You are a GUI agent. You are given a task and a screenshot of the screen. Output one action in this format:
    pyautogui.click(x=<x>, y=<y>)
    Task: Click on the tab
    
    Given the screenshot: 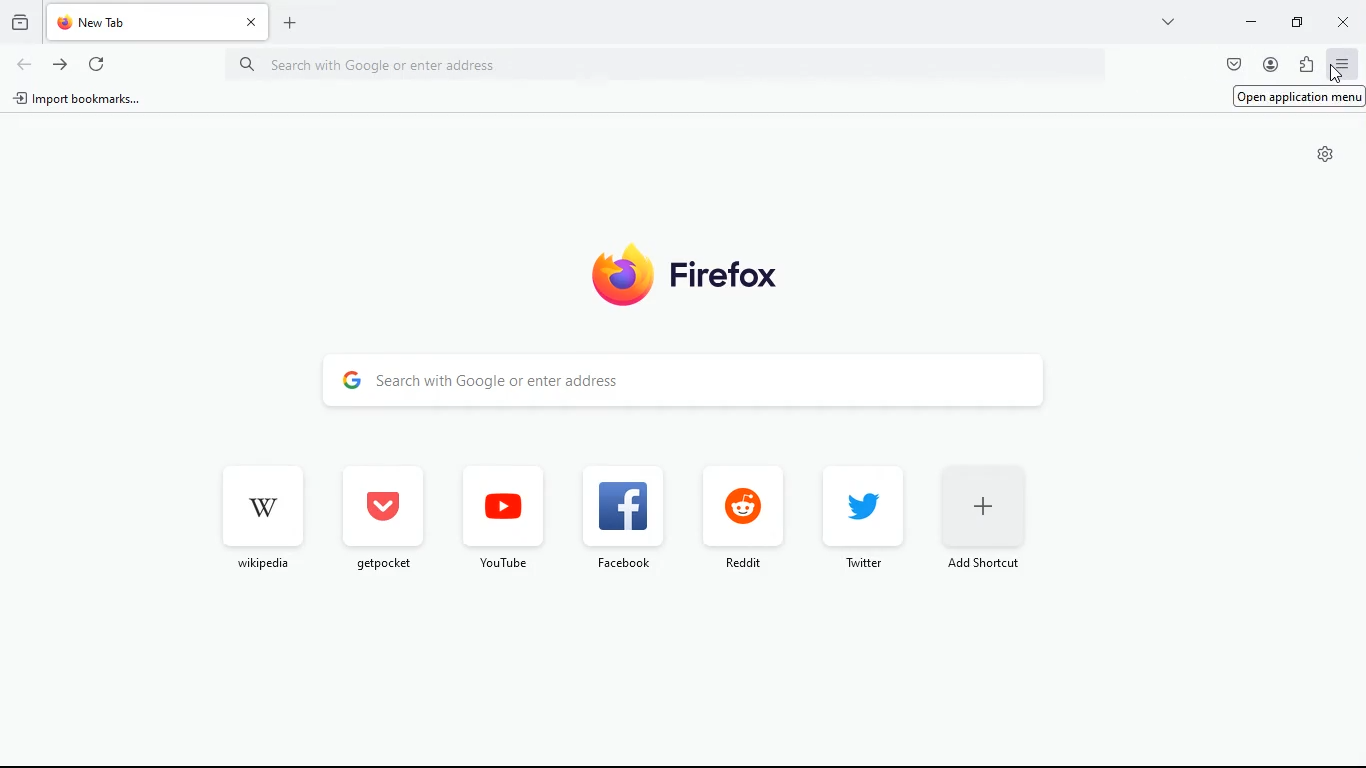 What is the action you would take?
    pyautogui.click(x=156, y=24)
    